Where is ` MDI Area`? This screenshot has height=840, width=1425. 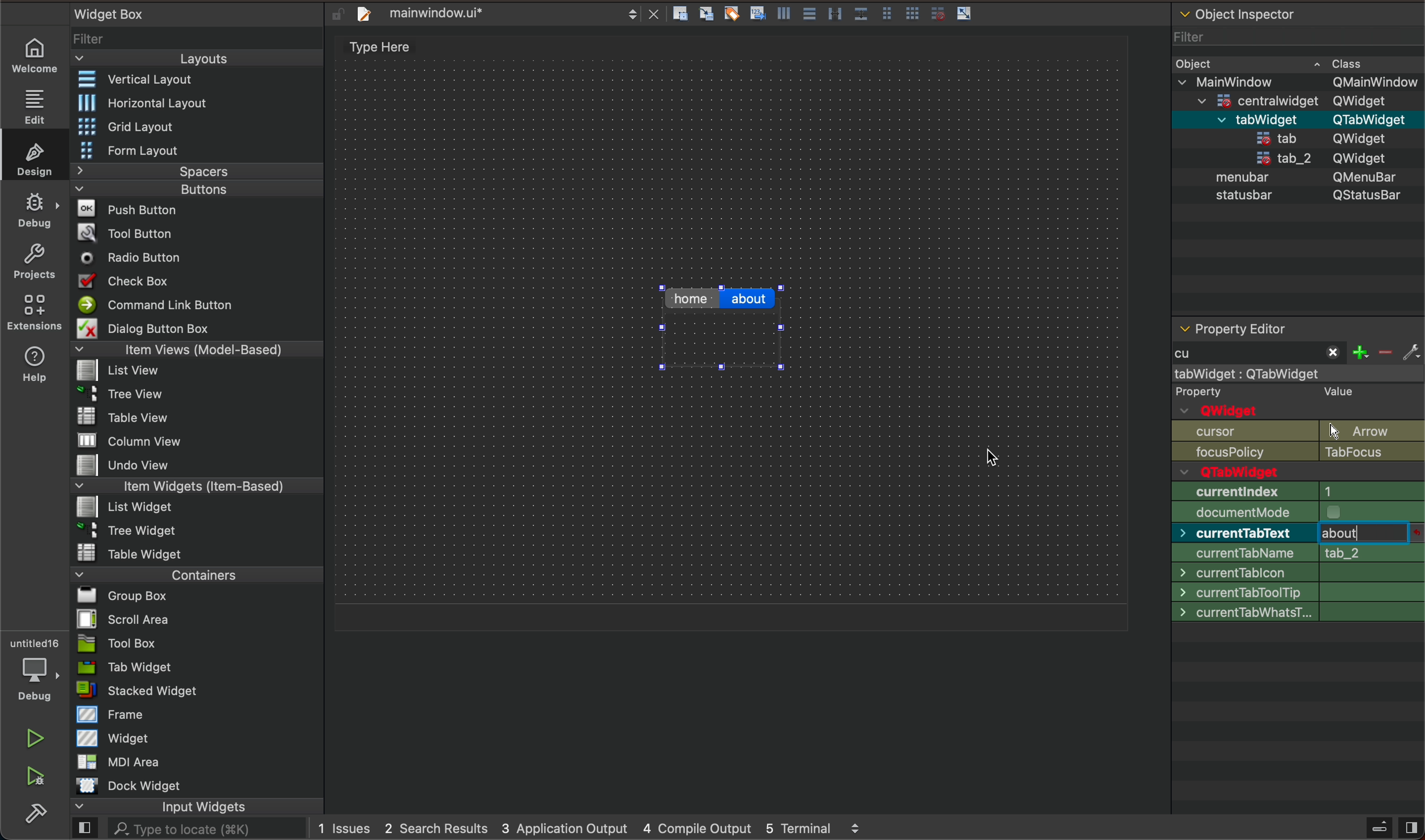  MDI Area is located at coordinates (128, 761).